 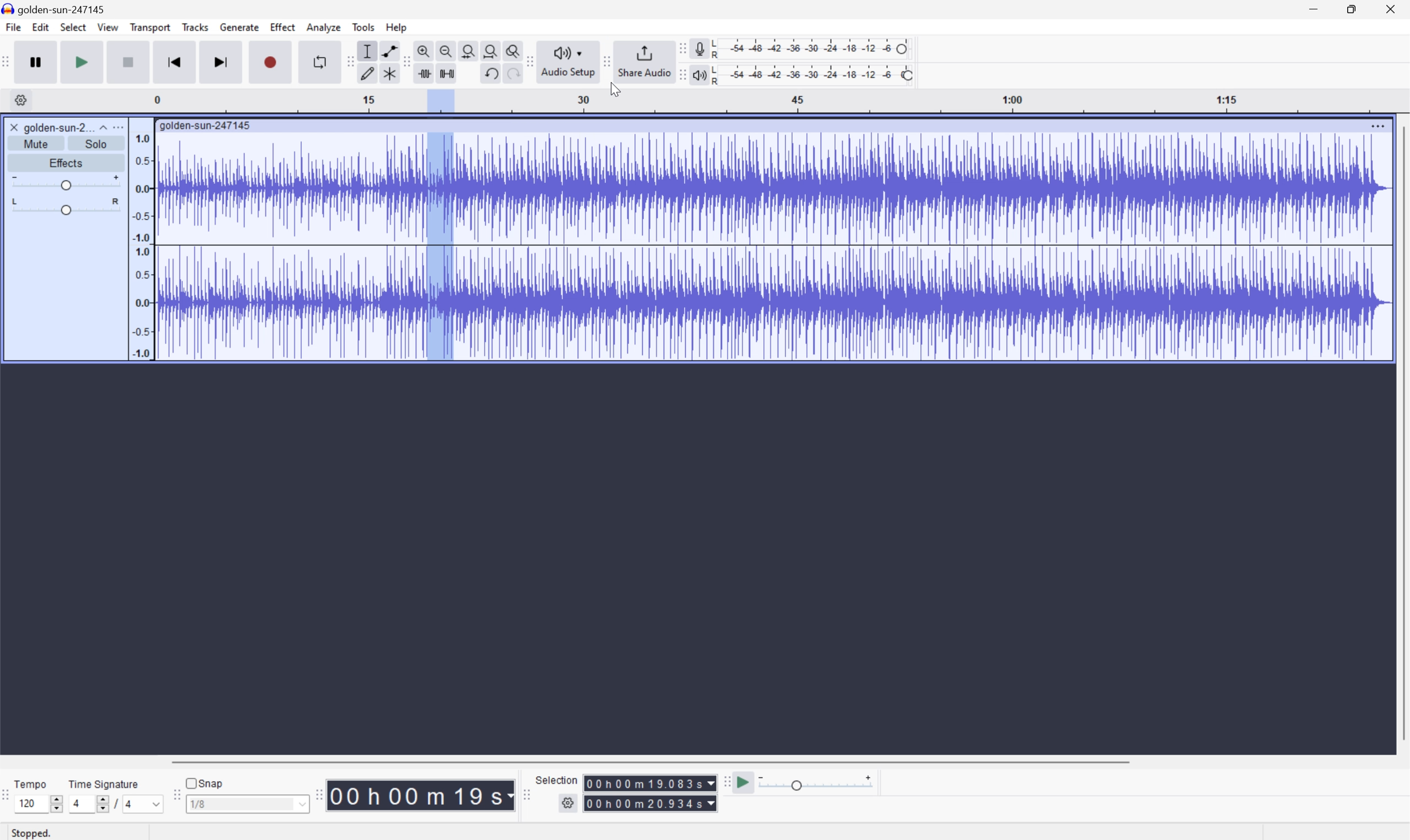 What do you see at coordinates (369, 72) in the screenshot?
I see `Draw style` at bounding box center [369, 72].